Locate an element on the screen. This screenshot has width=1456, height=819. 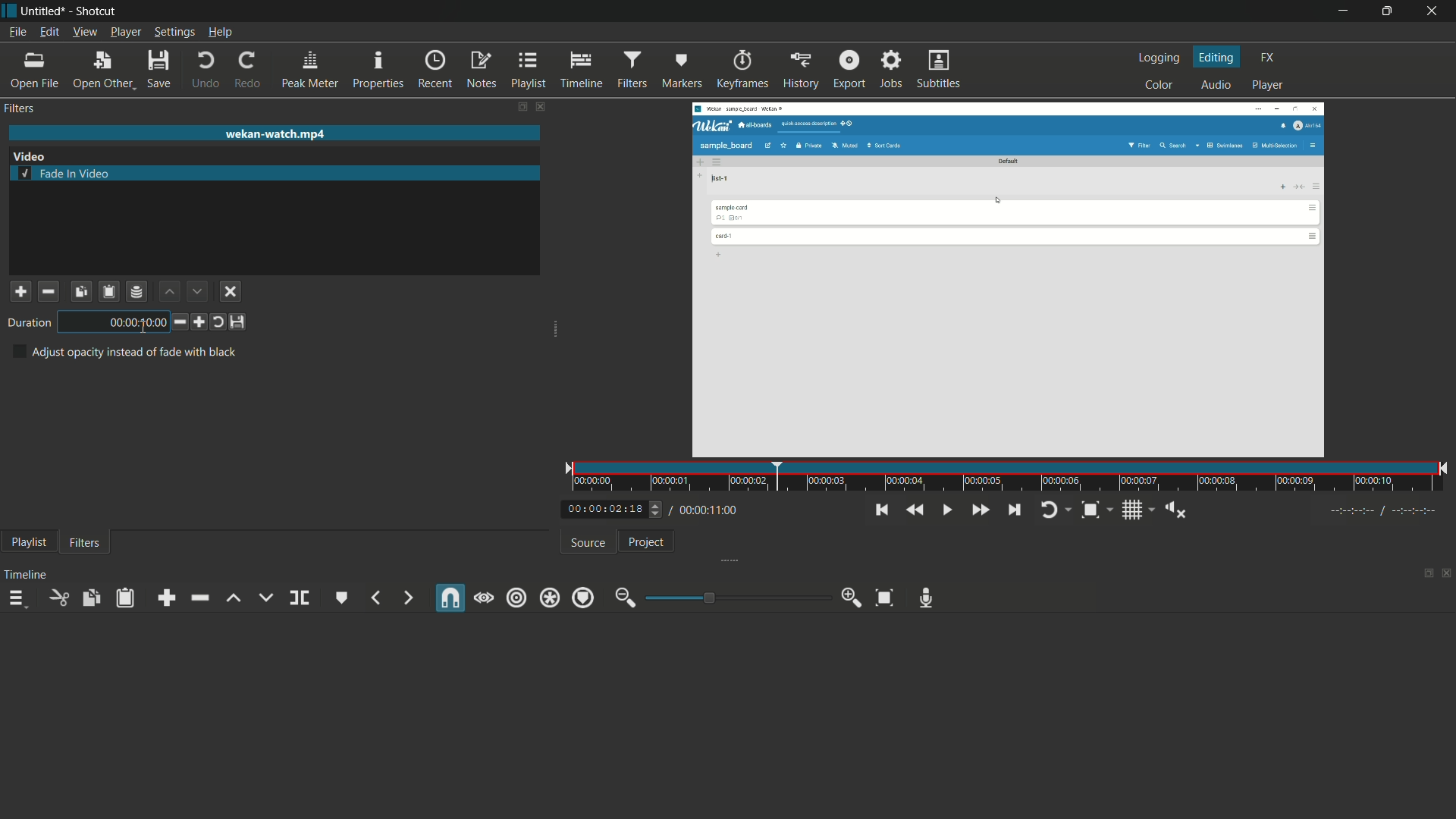
fade in video is located at coordinates (66, 173).